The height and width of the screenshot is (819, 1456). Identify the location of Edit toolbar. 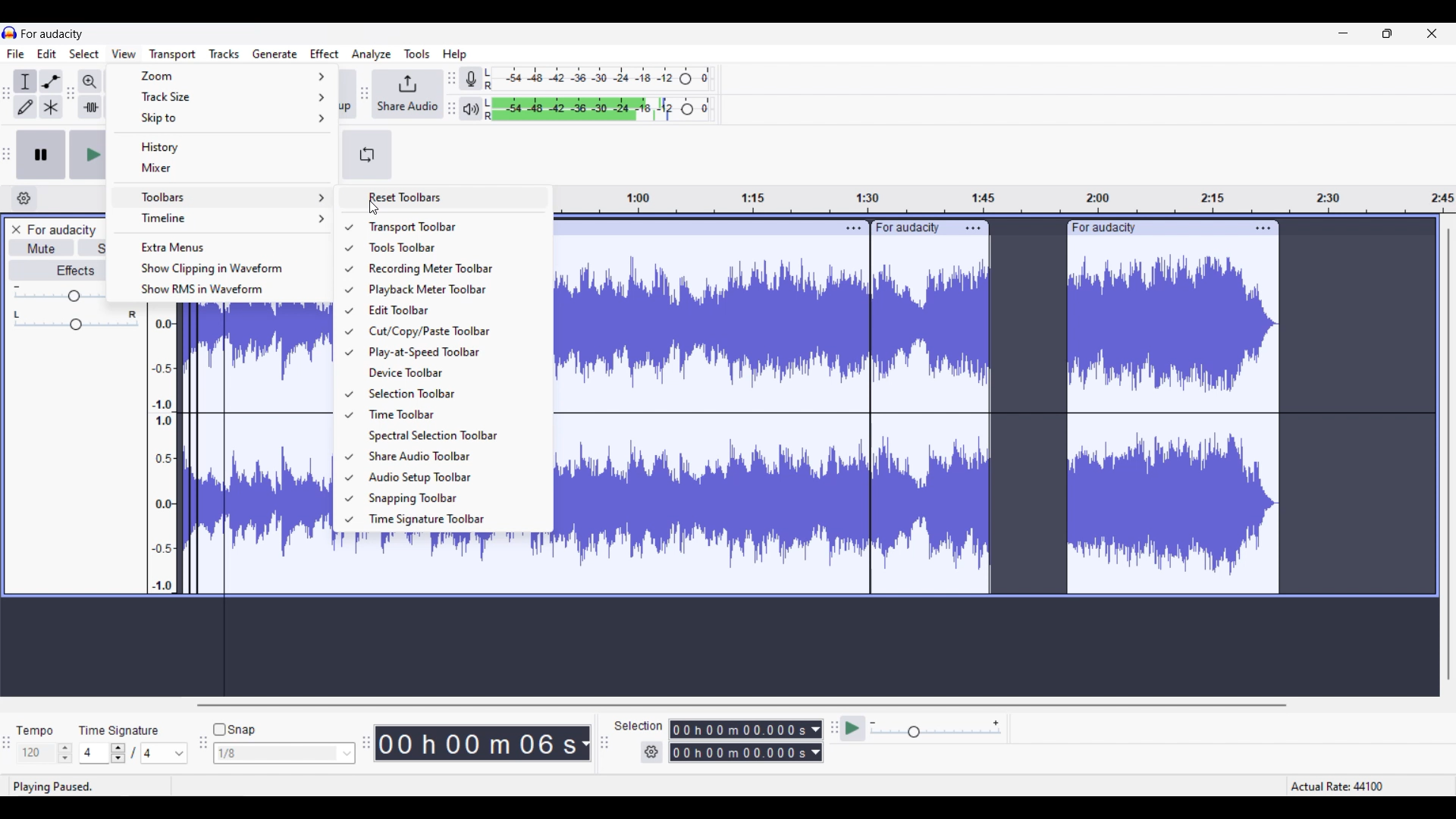
(450, 310).